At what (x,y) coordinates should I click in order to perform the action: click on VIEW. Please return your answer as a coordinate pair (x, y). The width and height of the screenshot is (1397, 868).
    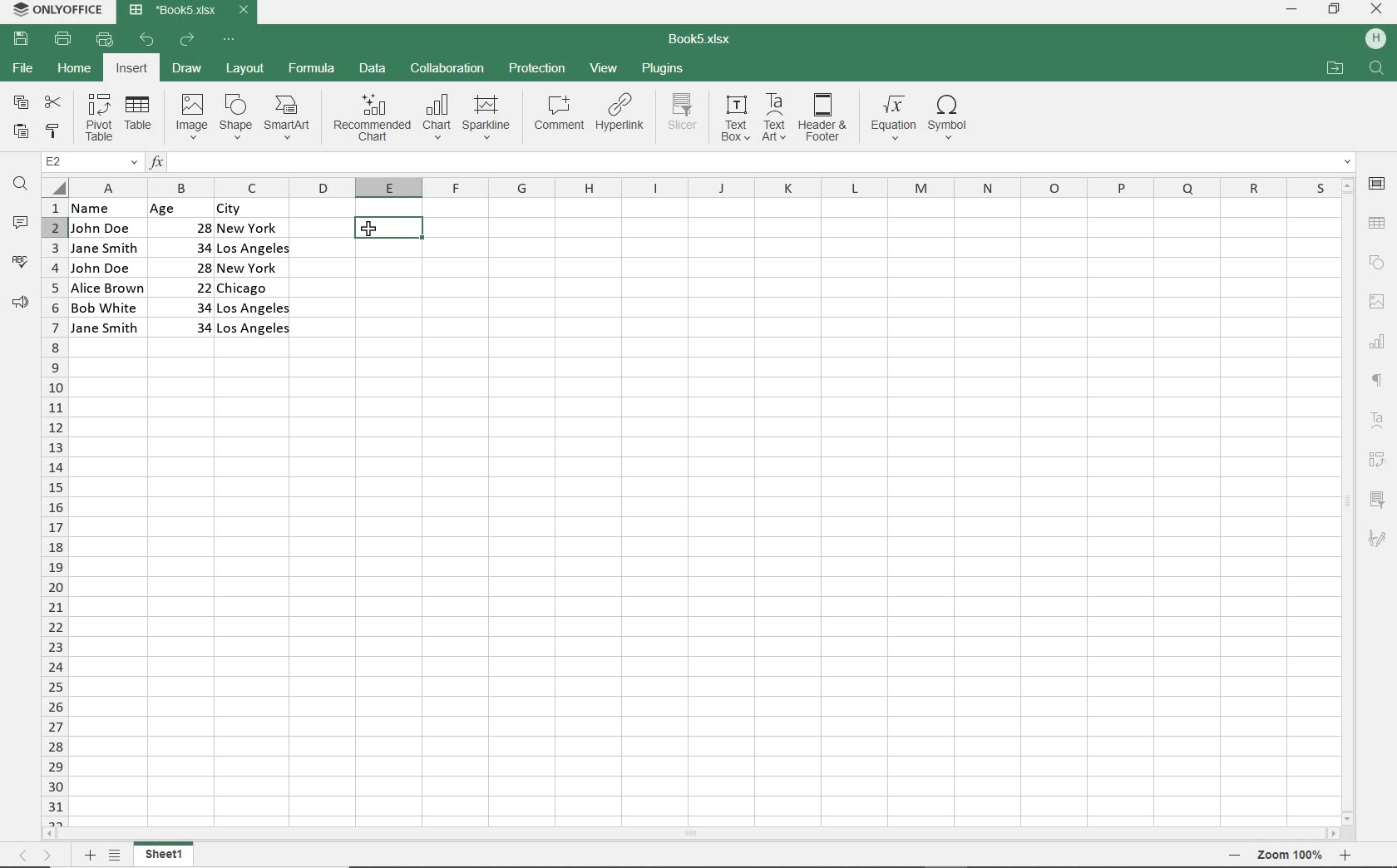
    Looking at the image, I should click on (604, 68).